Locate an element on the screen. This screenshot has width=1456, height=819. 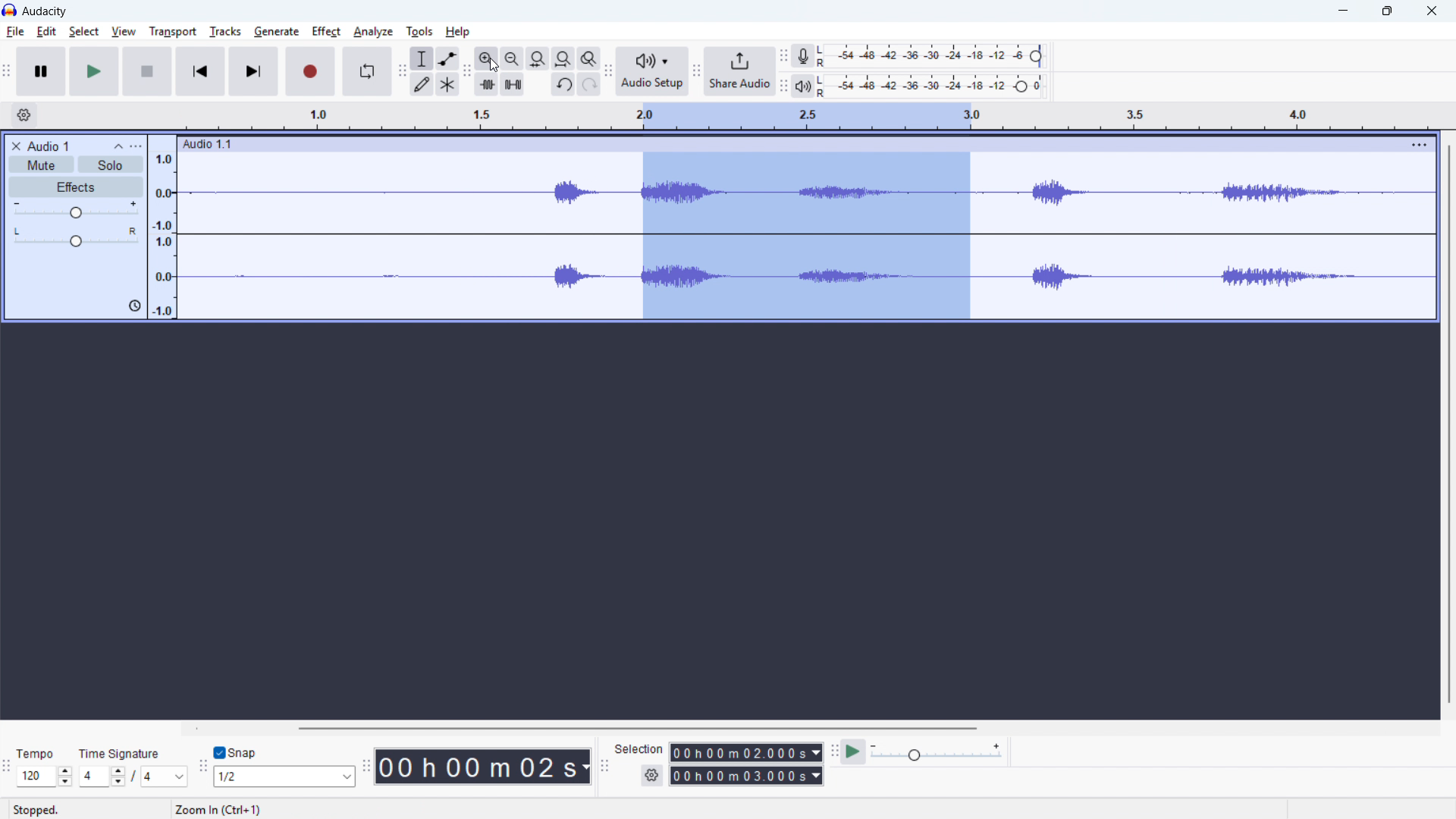
Track options is located at coordinates (1139, 145).